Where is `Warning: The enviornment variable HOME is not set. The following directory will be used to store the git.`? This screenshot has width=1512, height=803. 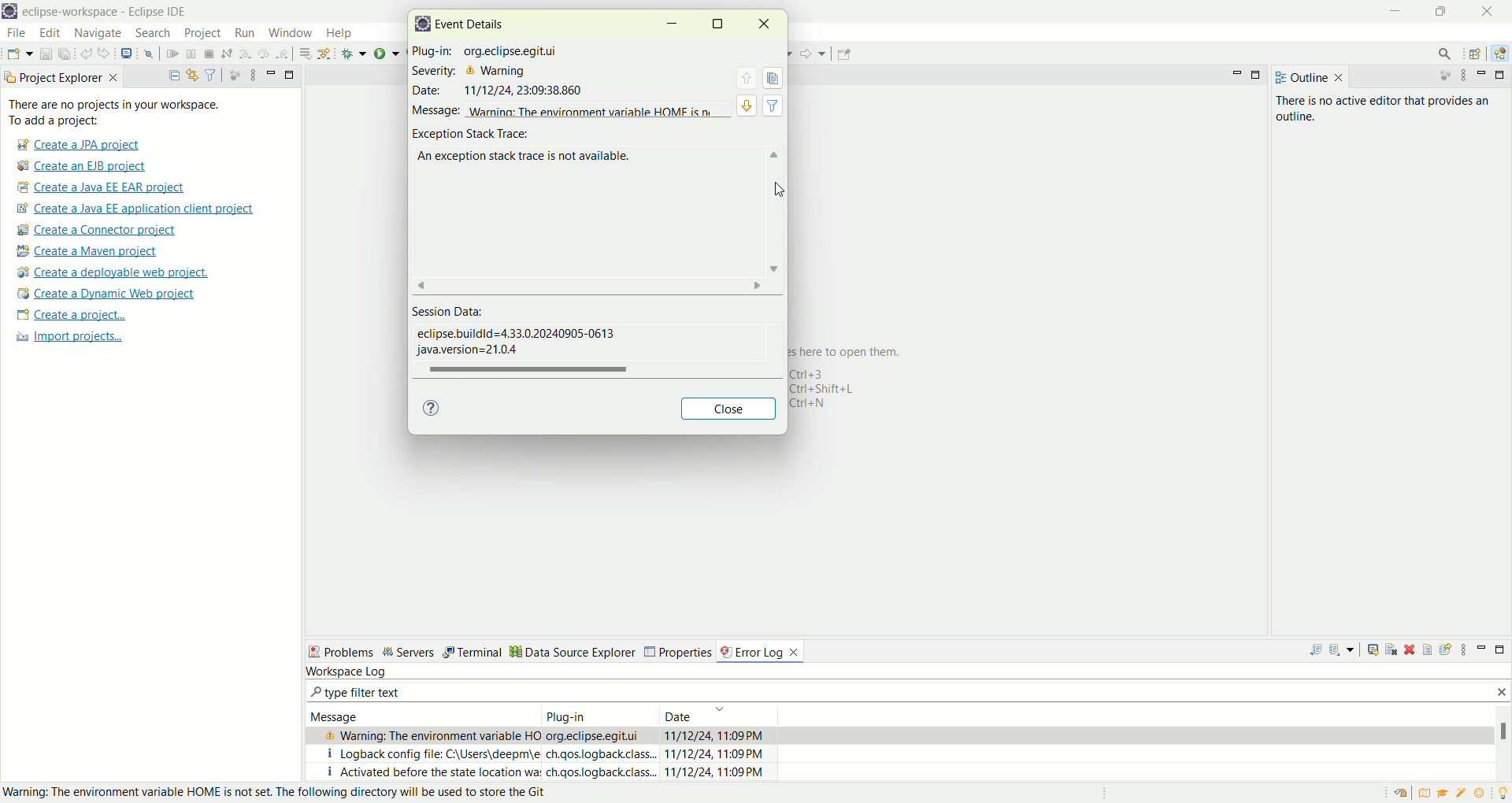
Warning: The enviornment variable HOME is not set. The following directory will be used to store the git. is located at coordinates (291, 790).